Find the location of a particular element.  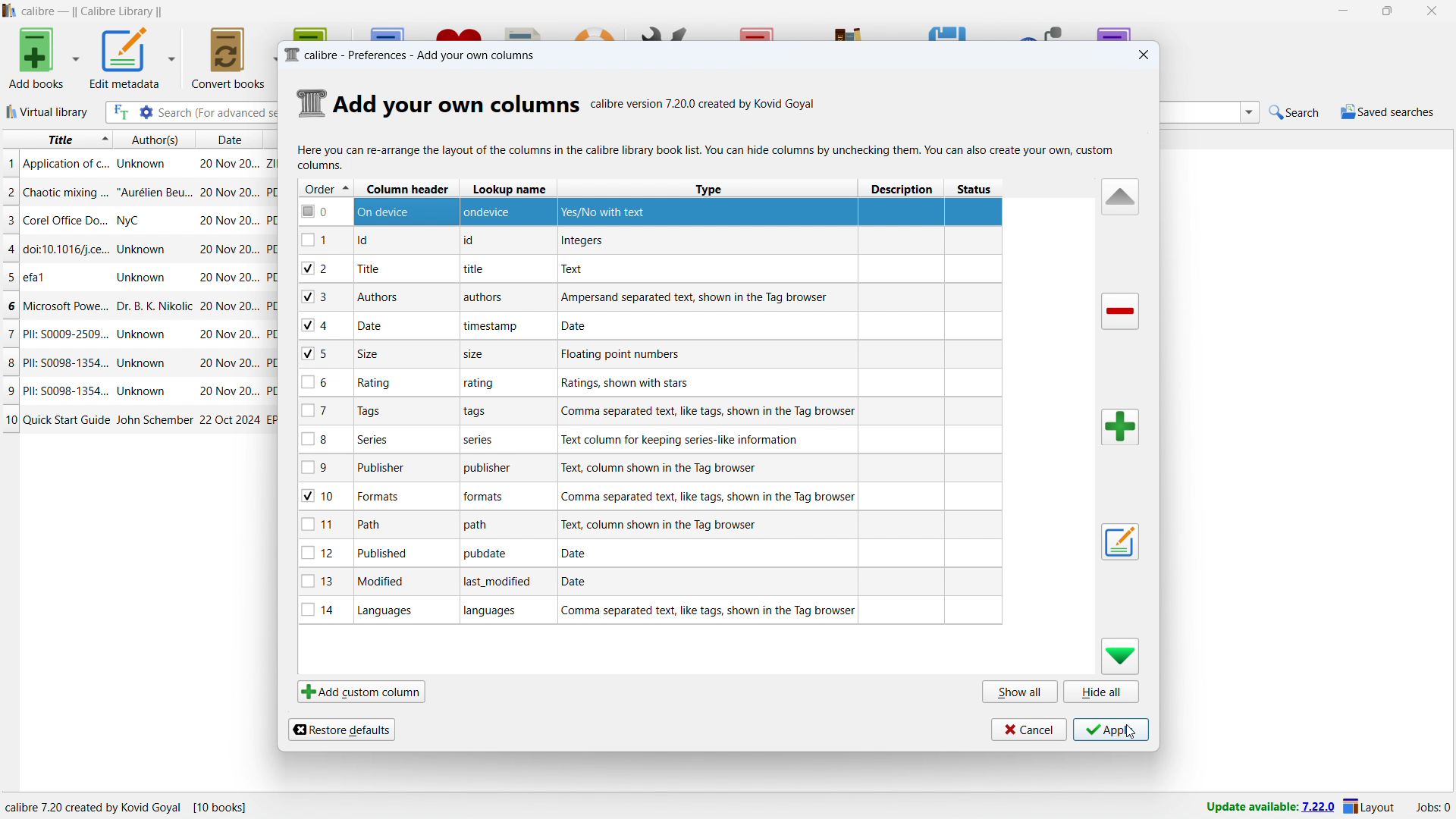

Text is located at coordinates (575, 268).